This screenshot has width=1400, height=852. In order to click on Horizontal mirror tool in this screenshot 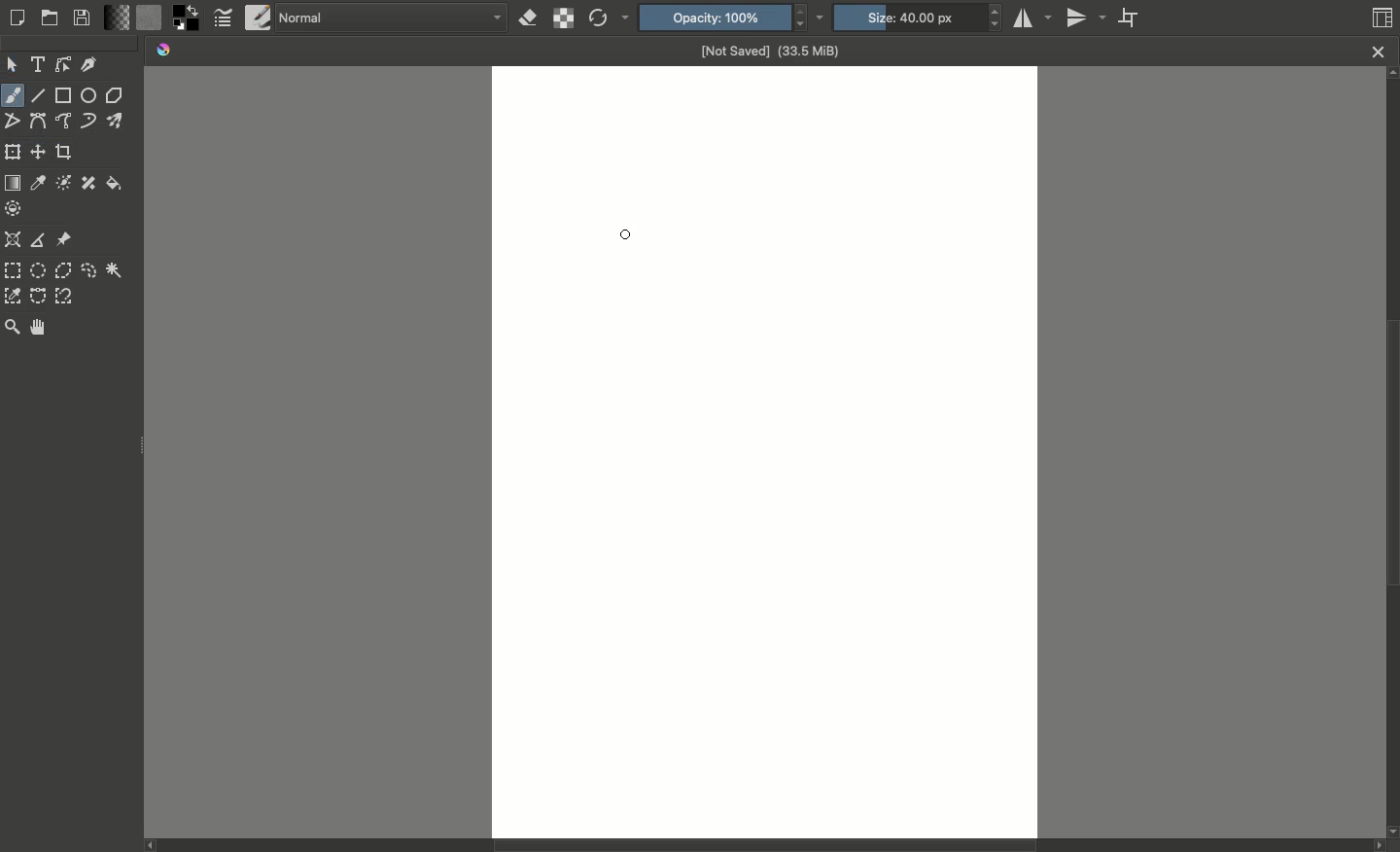, I will do `click(1035, 18)`.